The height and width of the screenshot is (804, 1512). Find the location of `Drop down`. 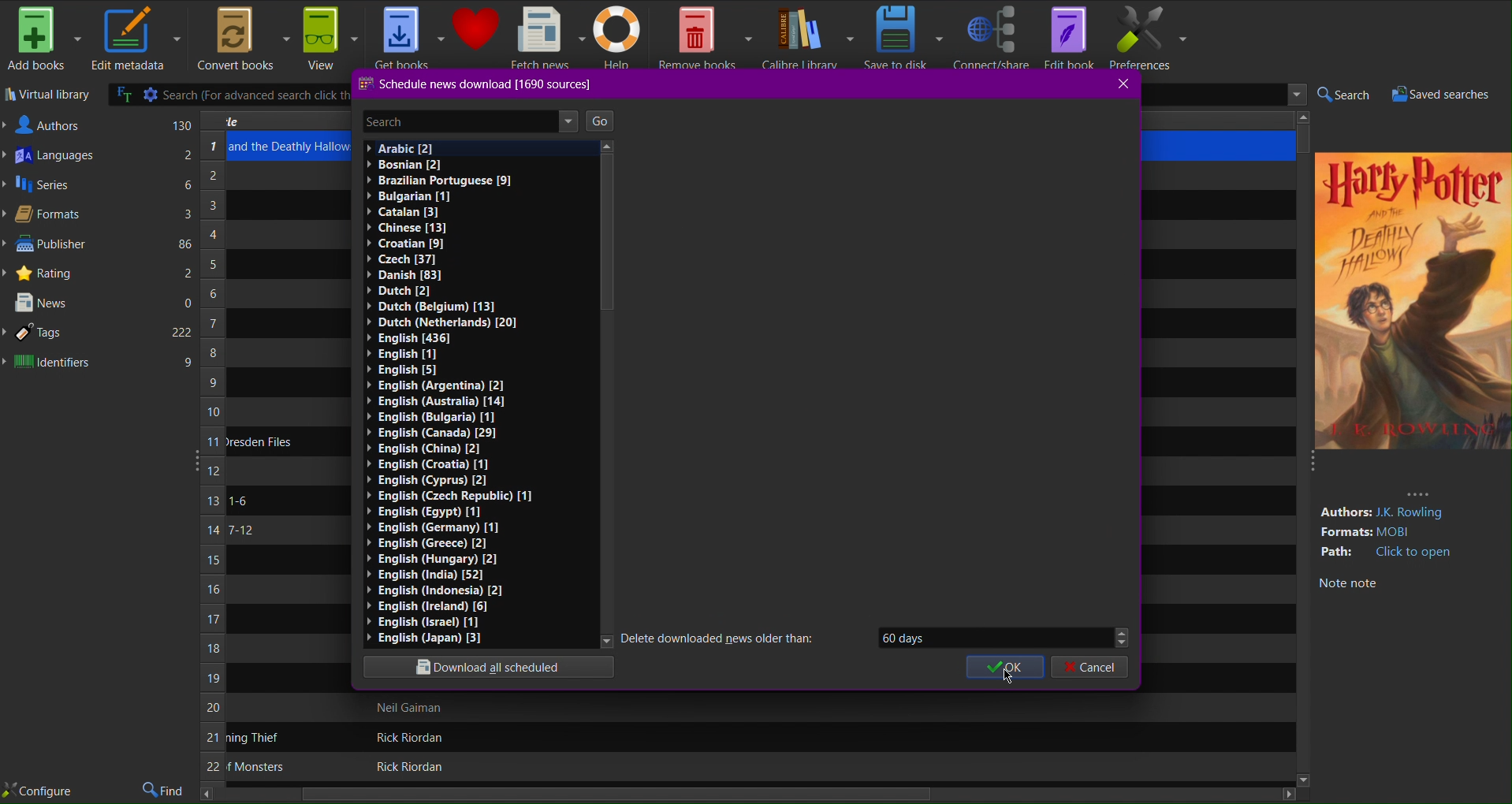

Drop down is located at coordinates (1121, 636).